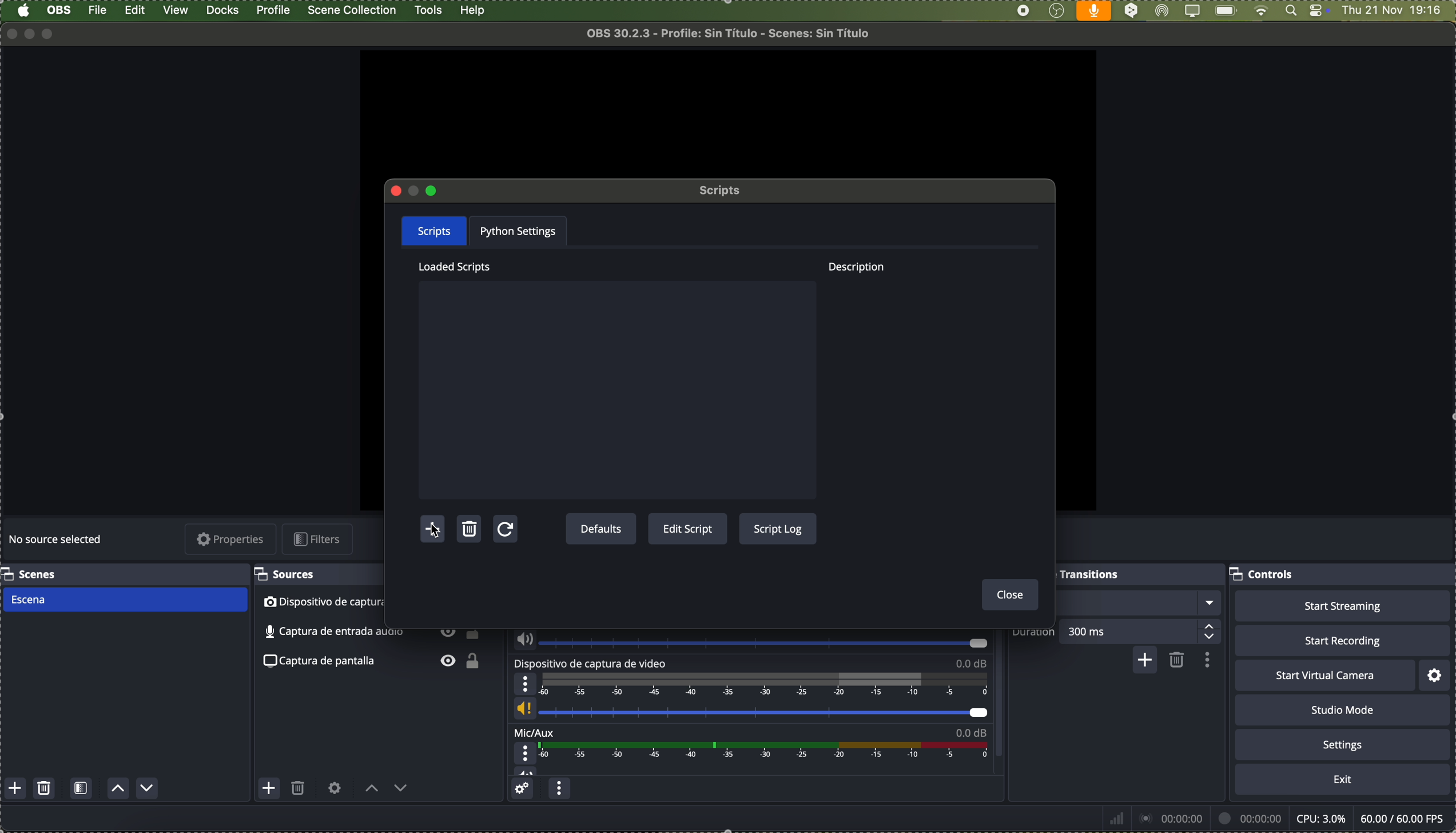 This screenshot has height=833, width=1456. I want to click on audio mixer menu, so click(559, 790).